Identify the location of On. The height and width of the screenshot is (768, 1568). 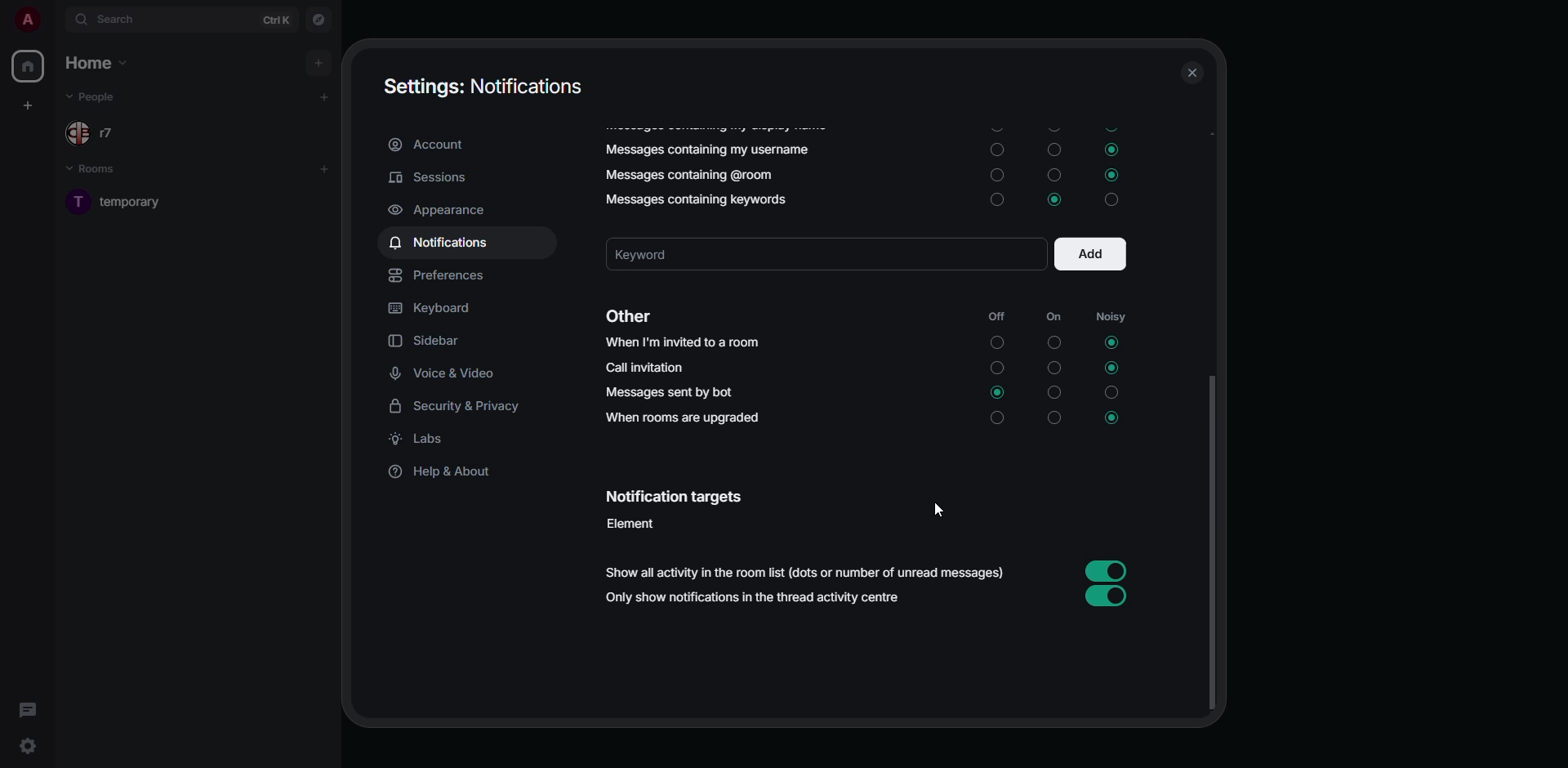
(1053, 393).